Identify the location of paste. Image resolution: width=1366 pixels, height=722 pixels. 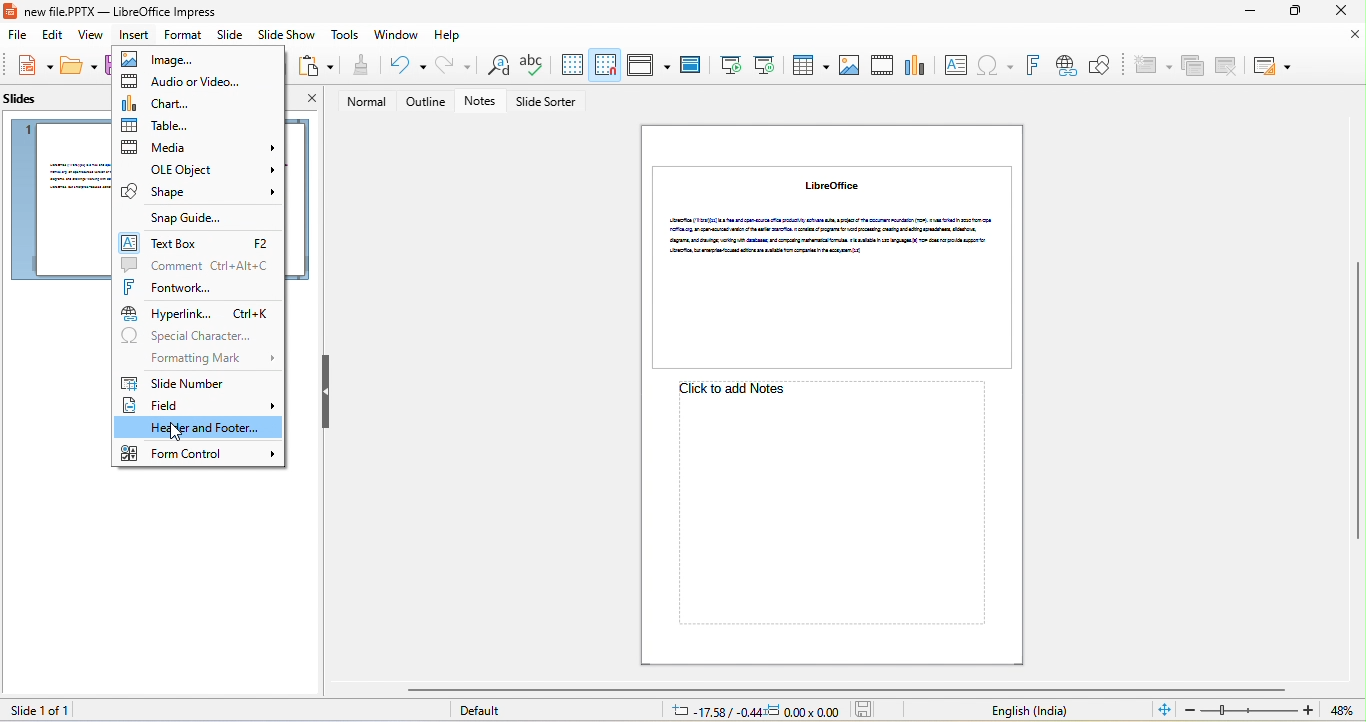
(316, 66).